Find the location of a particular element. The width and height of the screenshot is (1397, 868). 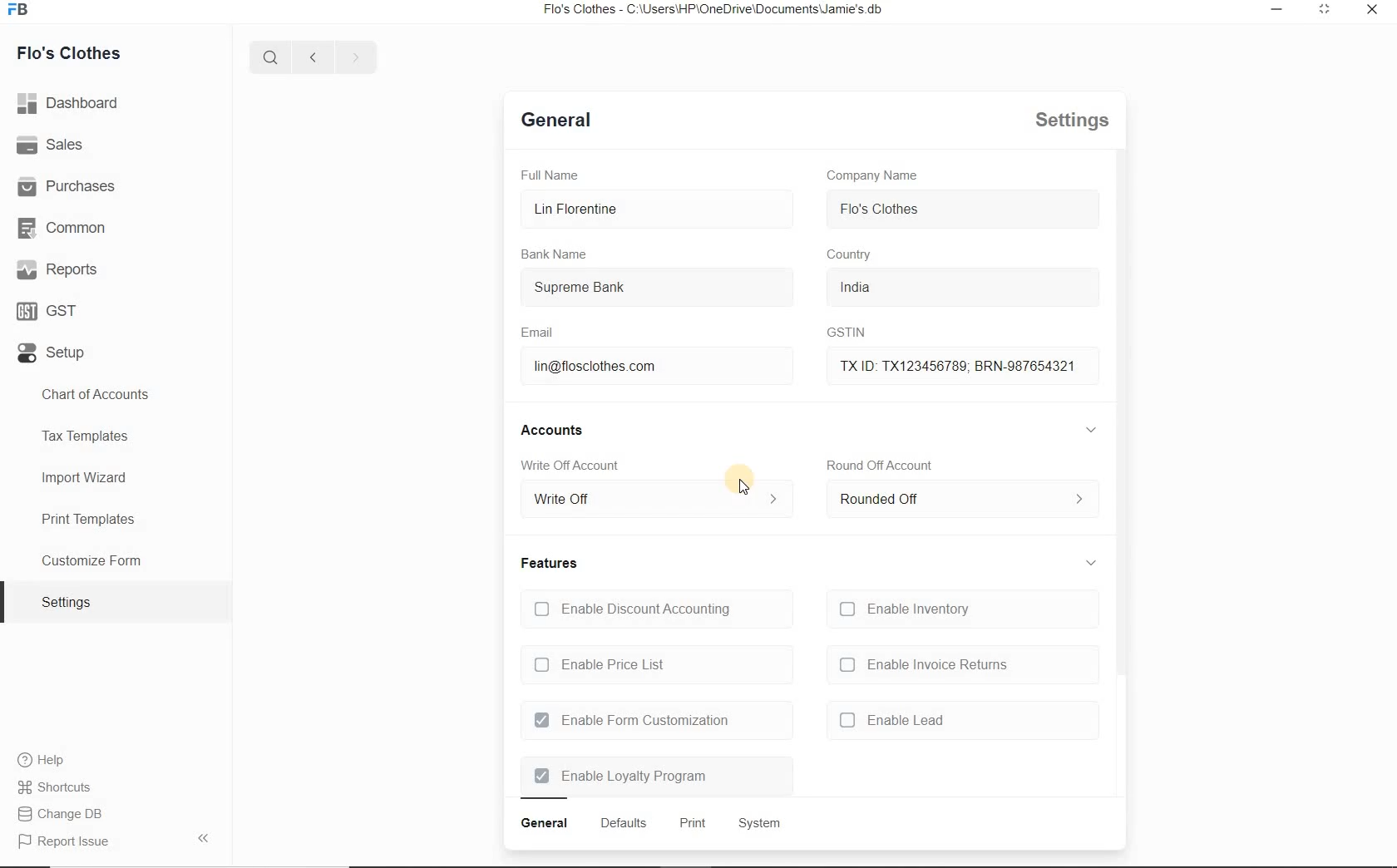

round off account is located at coordinates (880, 465).